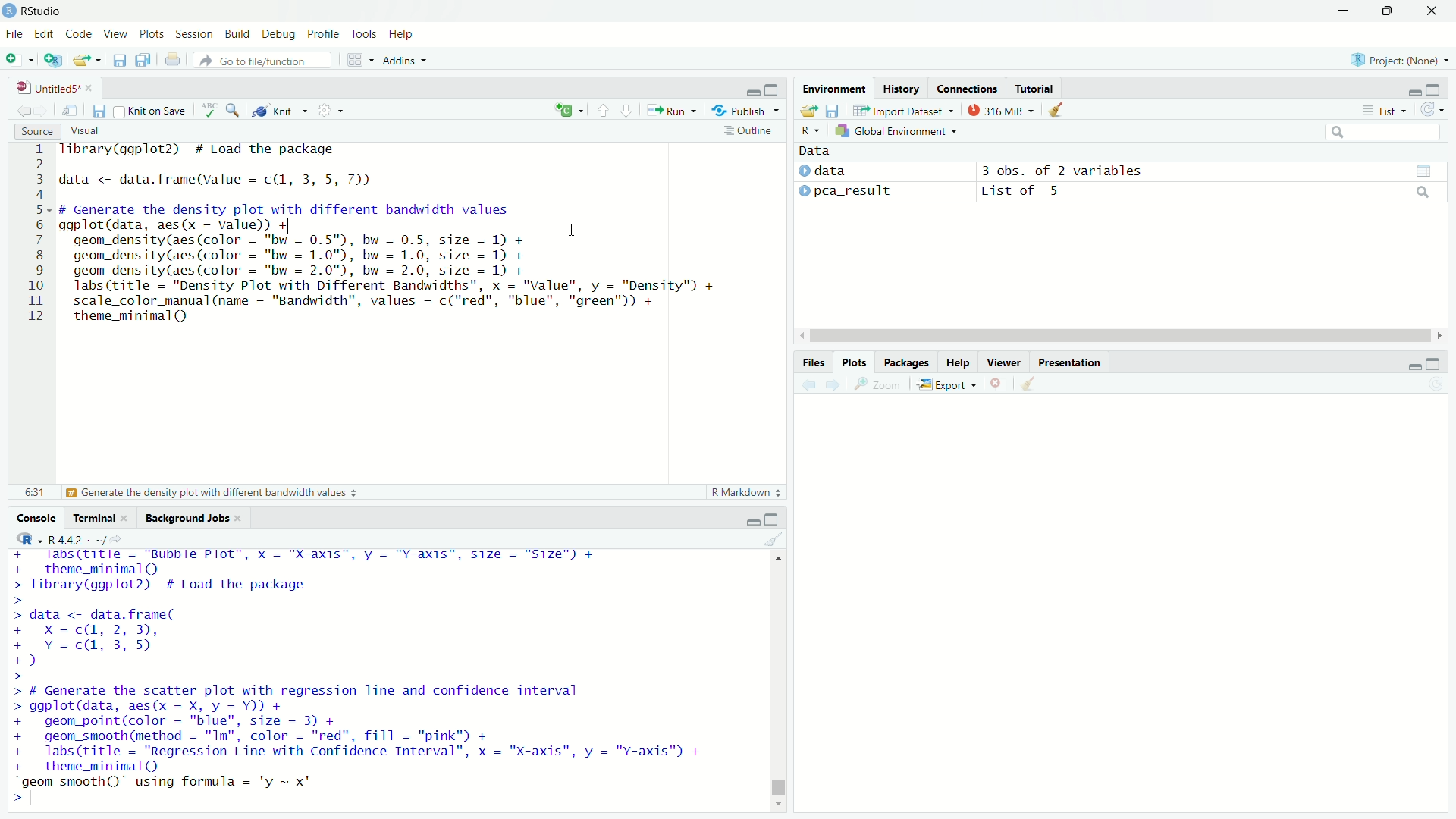 This screenshot has width=1456, height=819. Describe the element at coordinates (210, 493) in the screenshot. I see `Generate the density plot with different bandwidth values` at that location.